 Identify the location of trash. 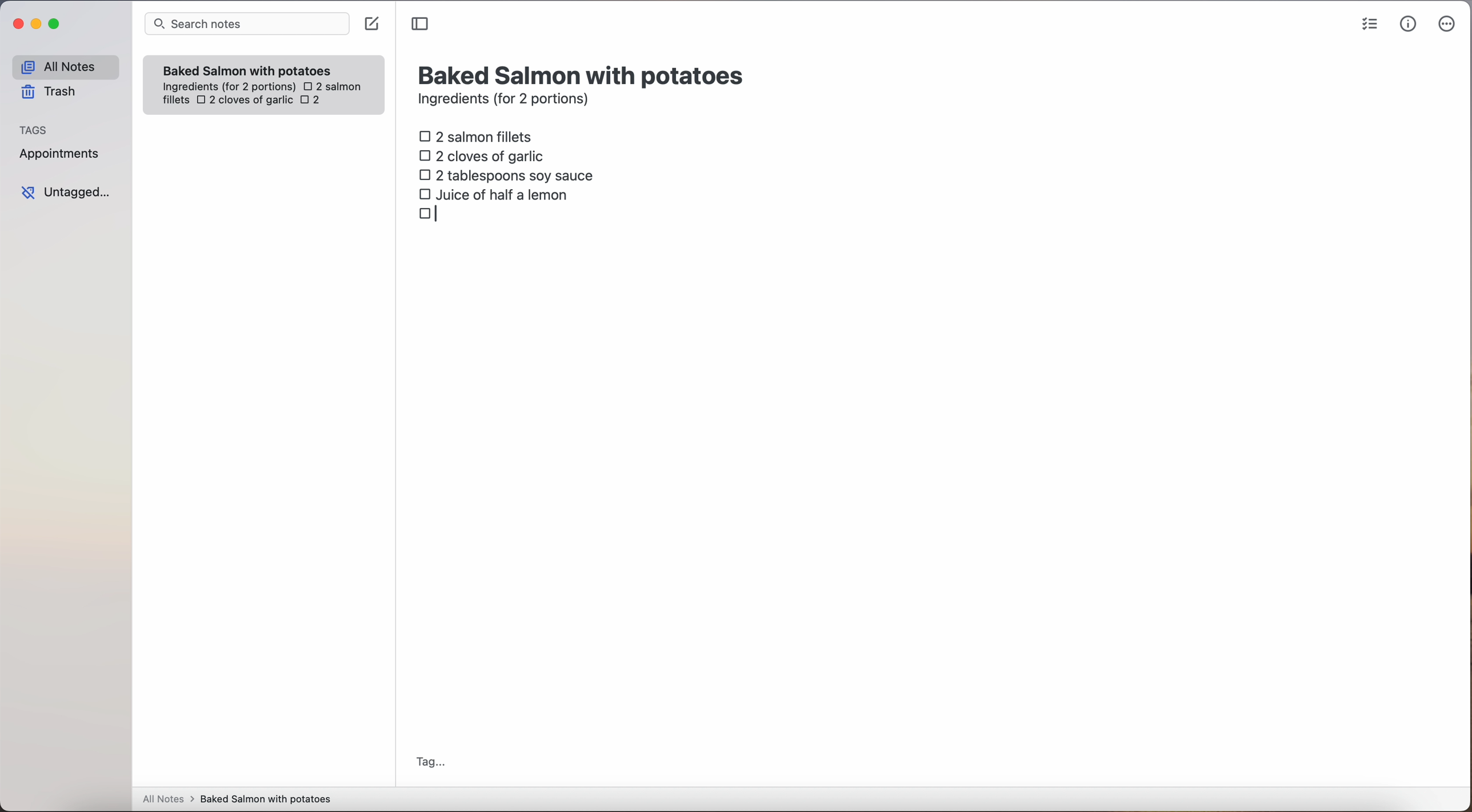
(53, 92).